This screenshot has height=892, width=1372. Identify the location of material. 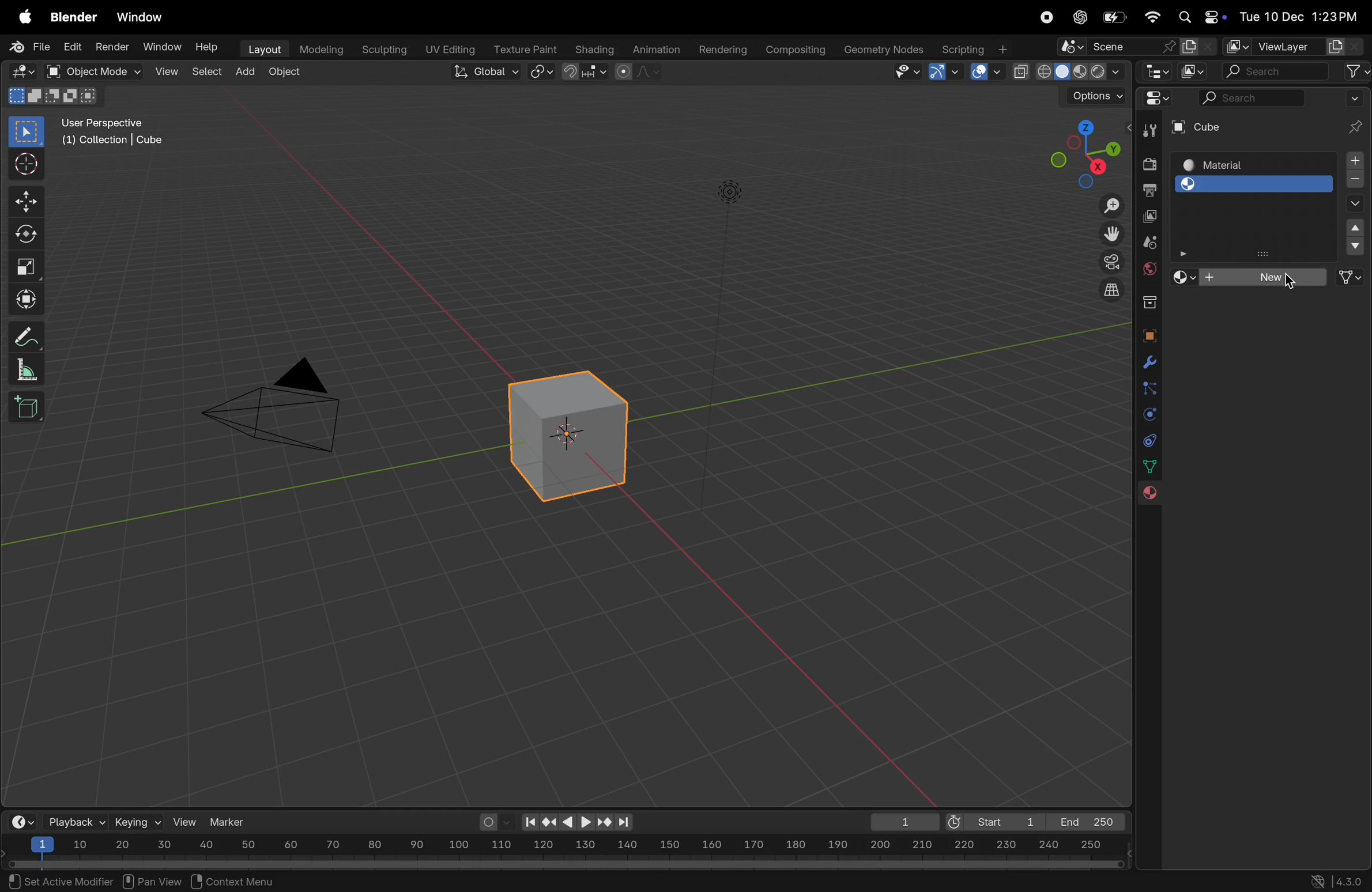
(1252, 164).